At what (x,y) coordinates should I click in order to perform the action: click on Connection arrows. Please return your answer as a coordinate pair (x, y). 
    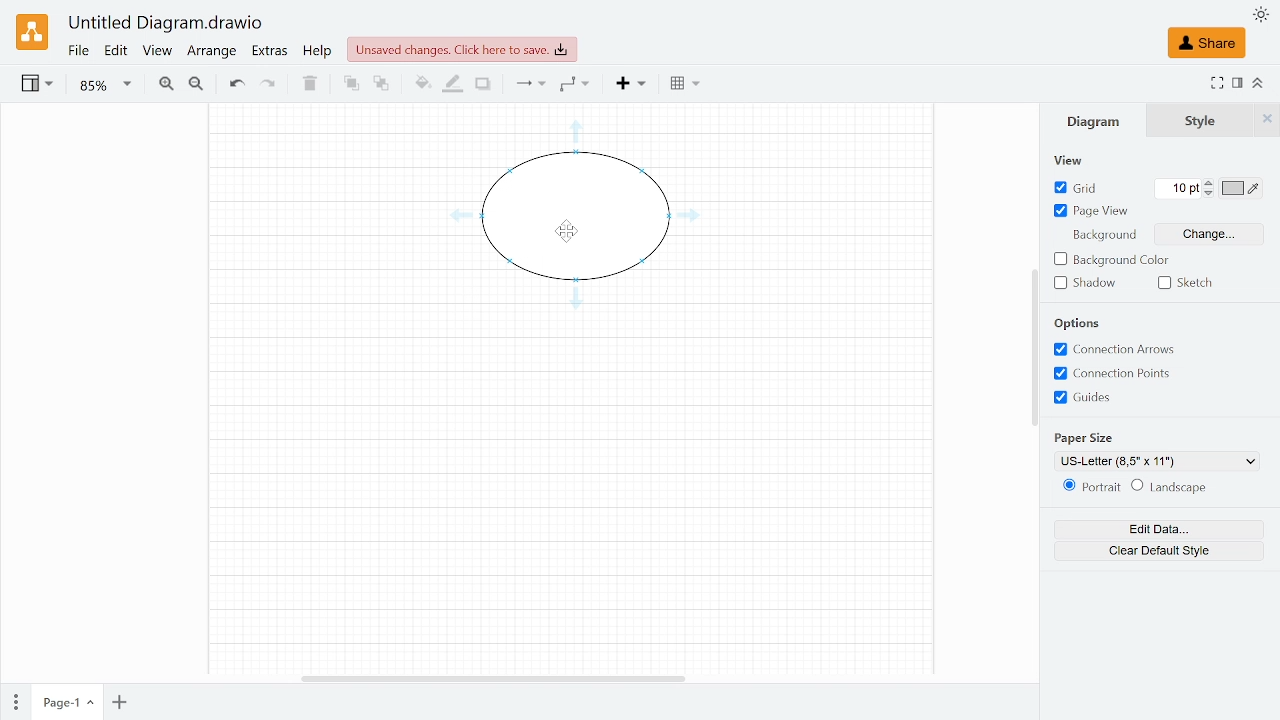
    Looking at the image, I should click on (1111, 350).